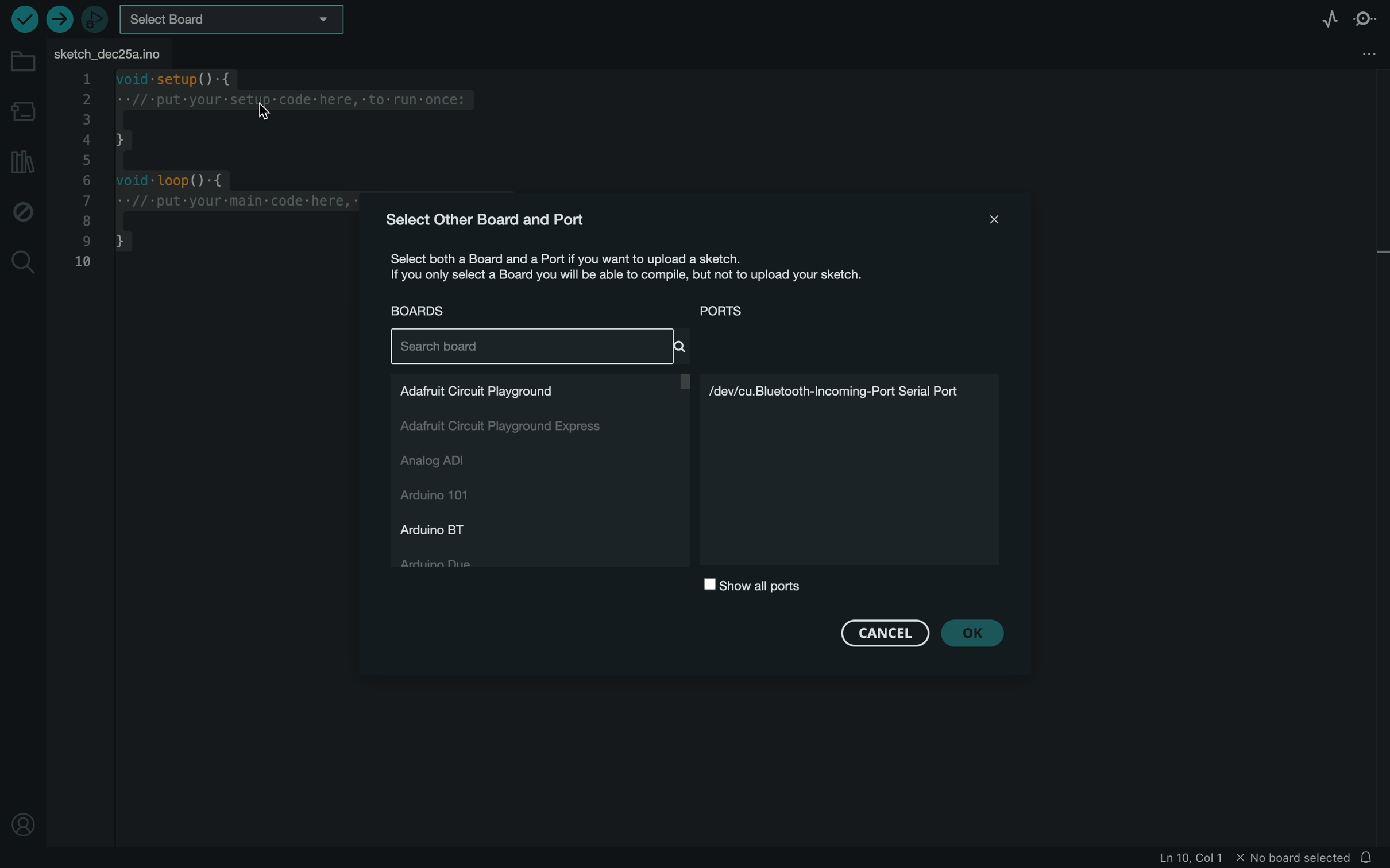 This screenshot has width=1390, height=868. What do you see at coordinates (213, 176) in the screenshot?
I see `code` at bounding box center [213, 176].